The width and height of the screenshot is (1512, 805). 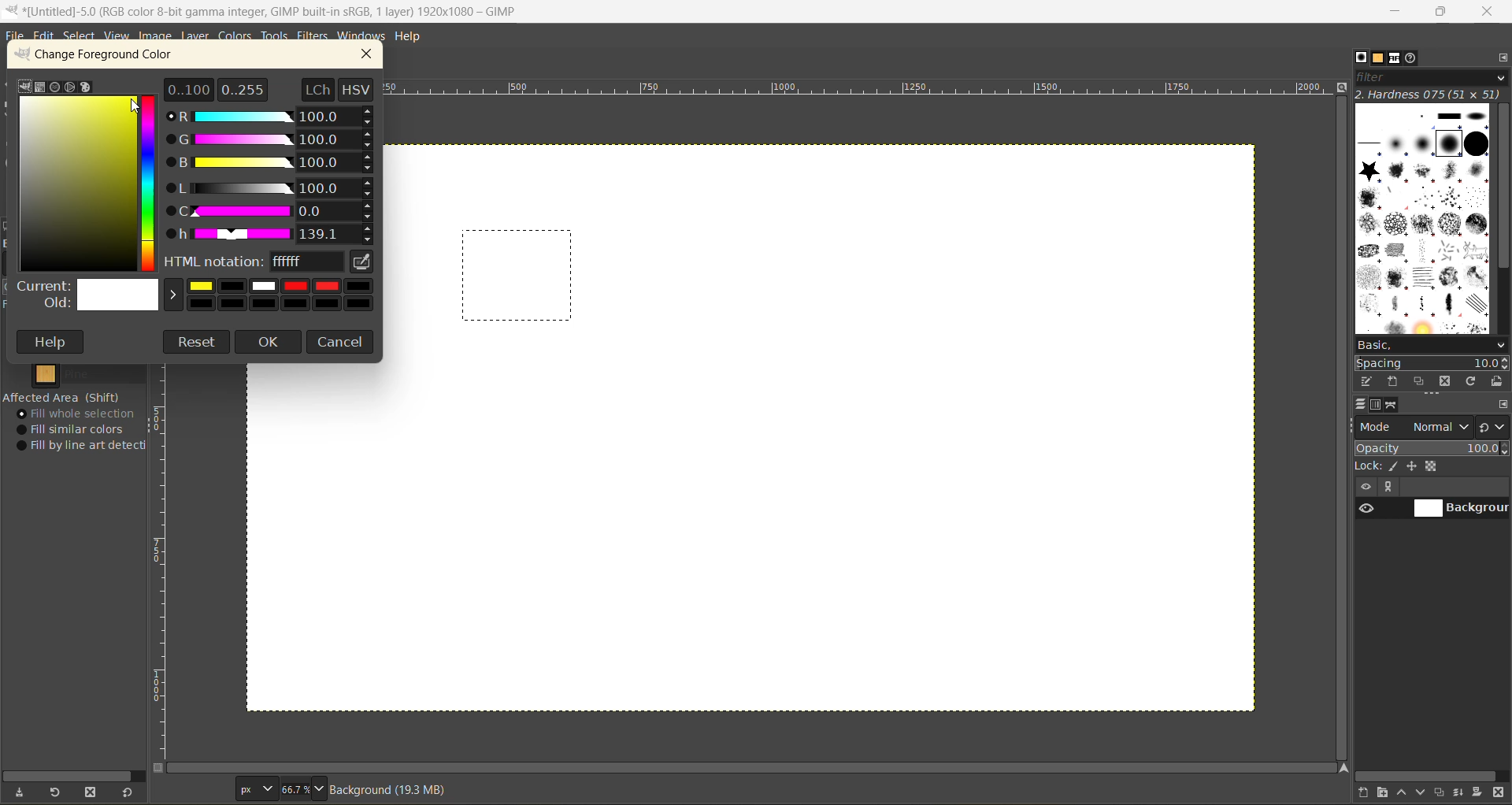 What do you see at coordinates (254, 263) in the screenshot?
I see `html notation` at bounding box center [254, 263].